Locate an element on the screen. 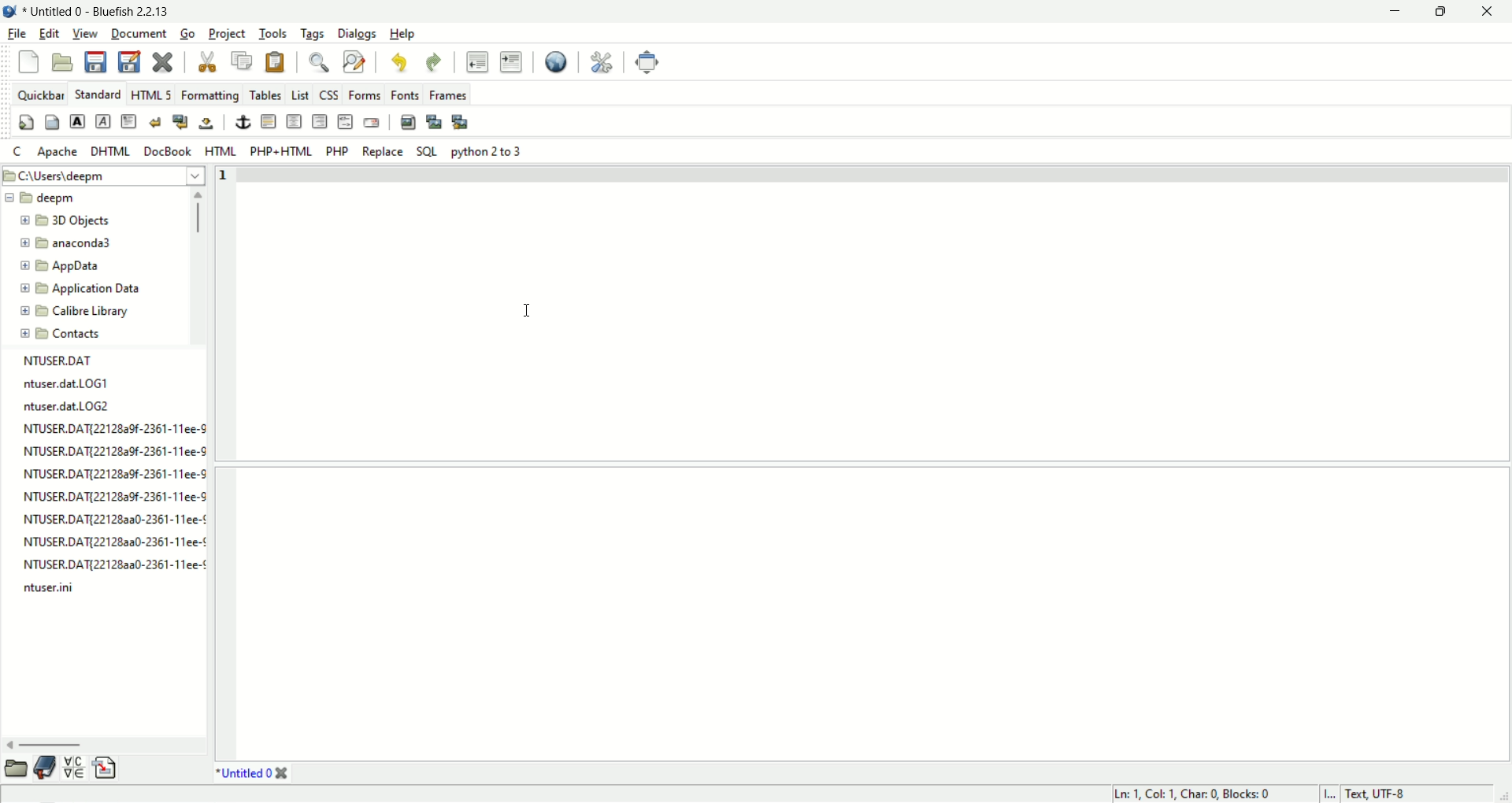 This screenshot has width=1512, height=803. html comment is located at coordinates (345, 121).